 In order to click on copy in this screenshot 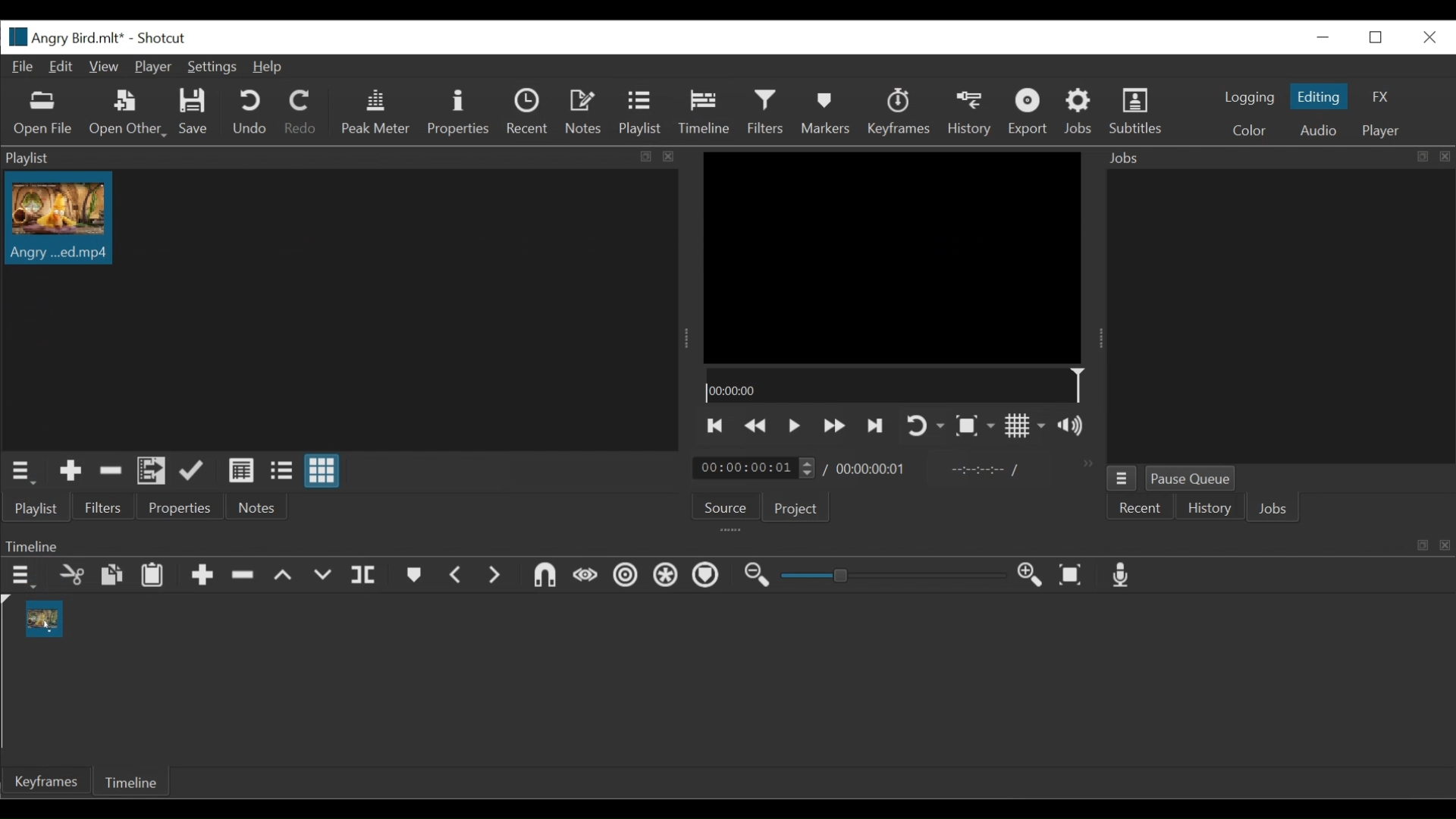, I will do `click(111, 576)`.